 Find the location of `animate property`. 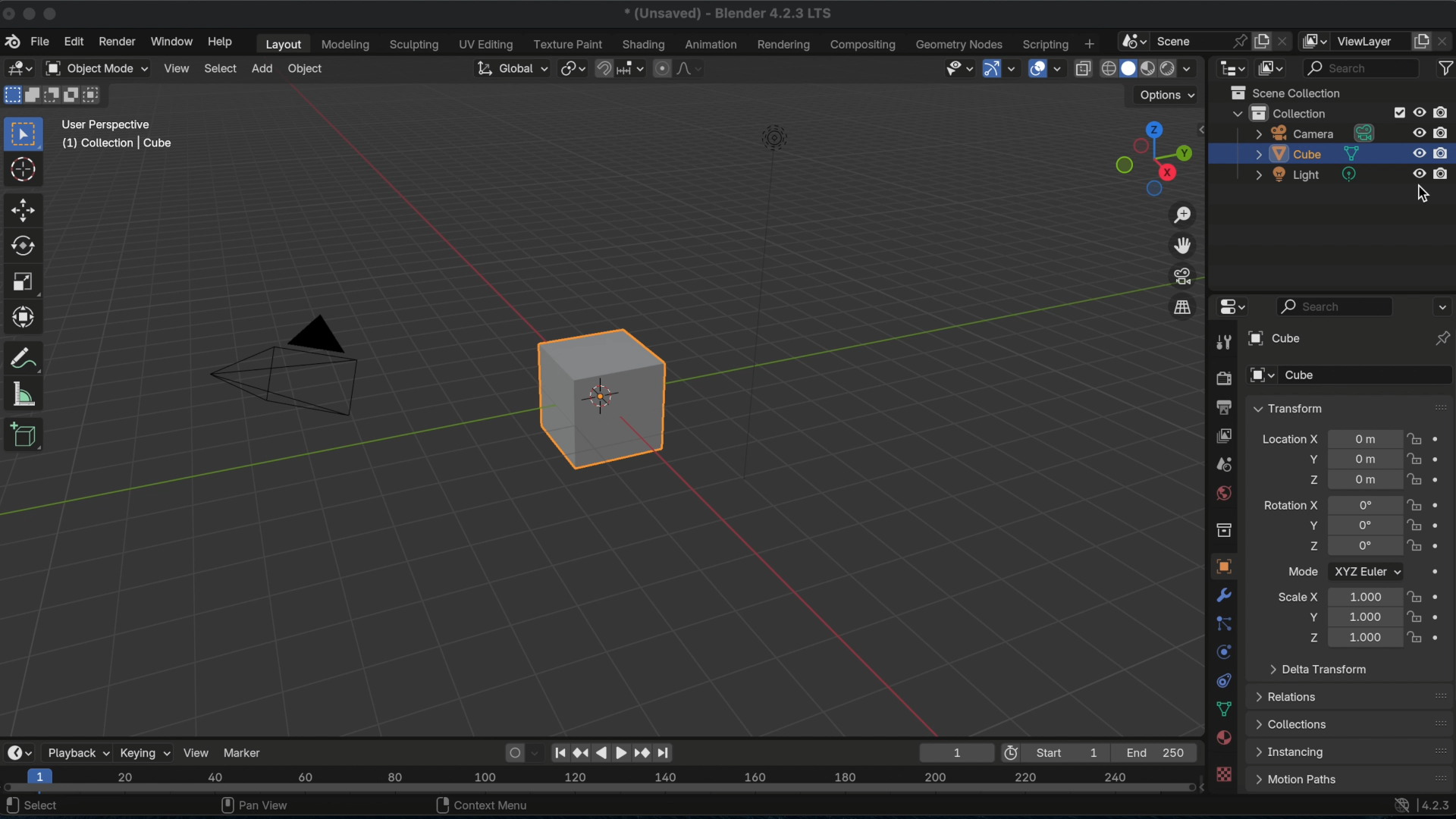

animate property is located at coordinates (1442, 523).